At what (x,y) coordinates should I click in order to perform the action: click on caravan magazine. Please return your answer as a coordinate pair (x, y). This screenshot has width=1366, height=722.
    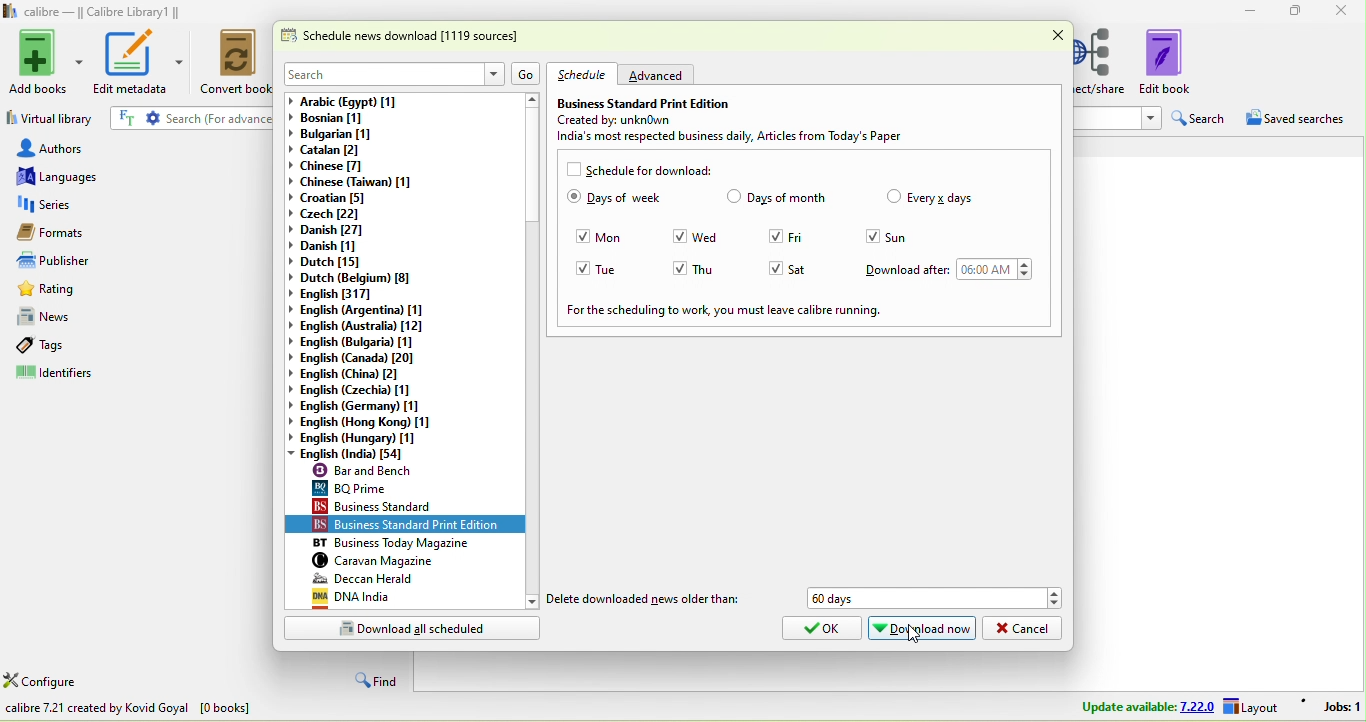
    Looking at the image, I should click on (413, 561).